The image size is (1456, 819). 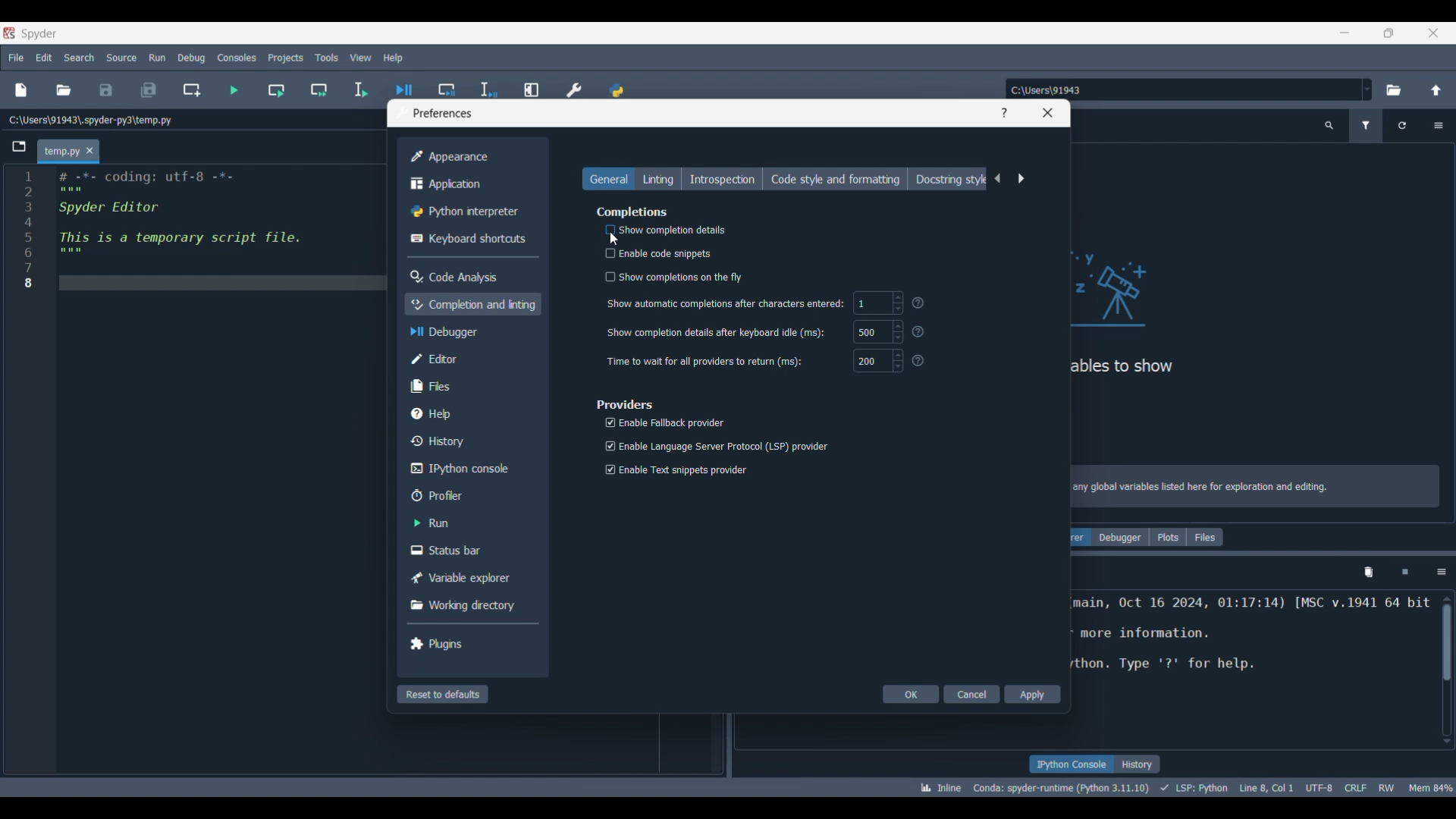 I want to click on Save file, so click(x=106, y=90).